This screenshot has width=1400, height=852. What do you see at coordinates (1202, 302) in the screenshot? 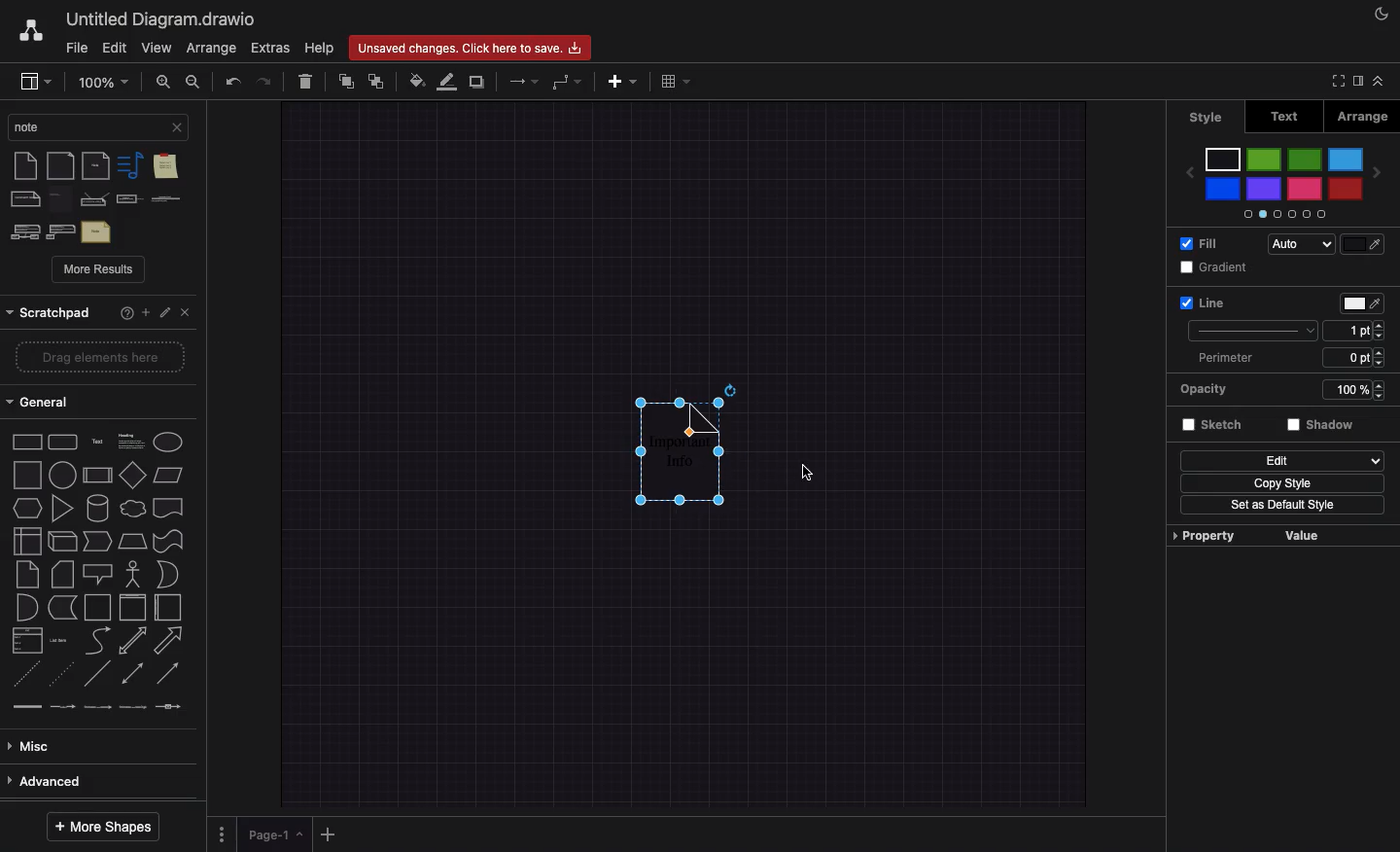
I see `Line` at bounding box center [1202, 302].